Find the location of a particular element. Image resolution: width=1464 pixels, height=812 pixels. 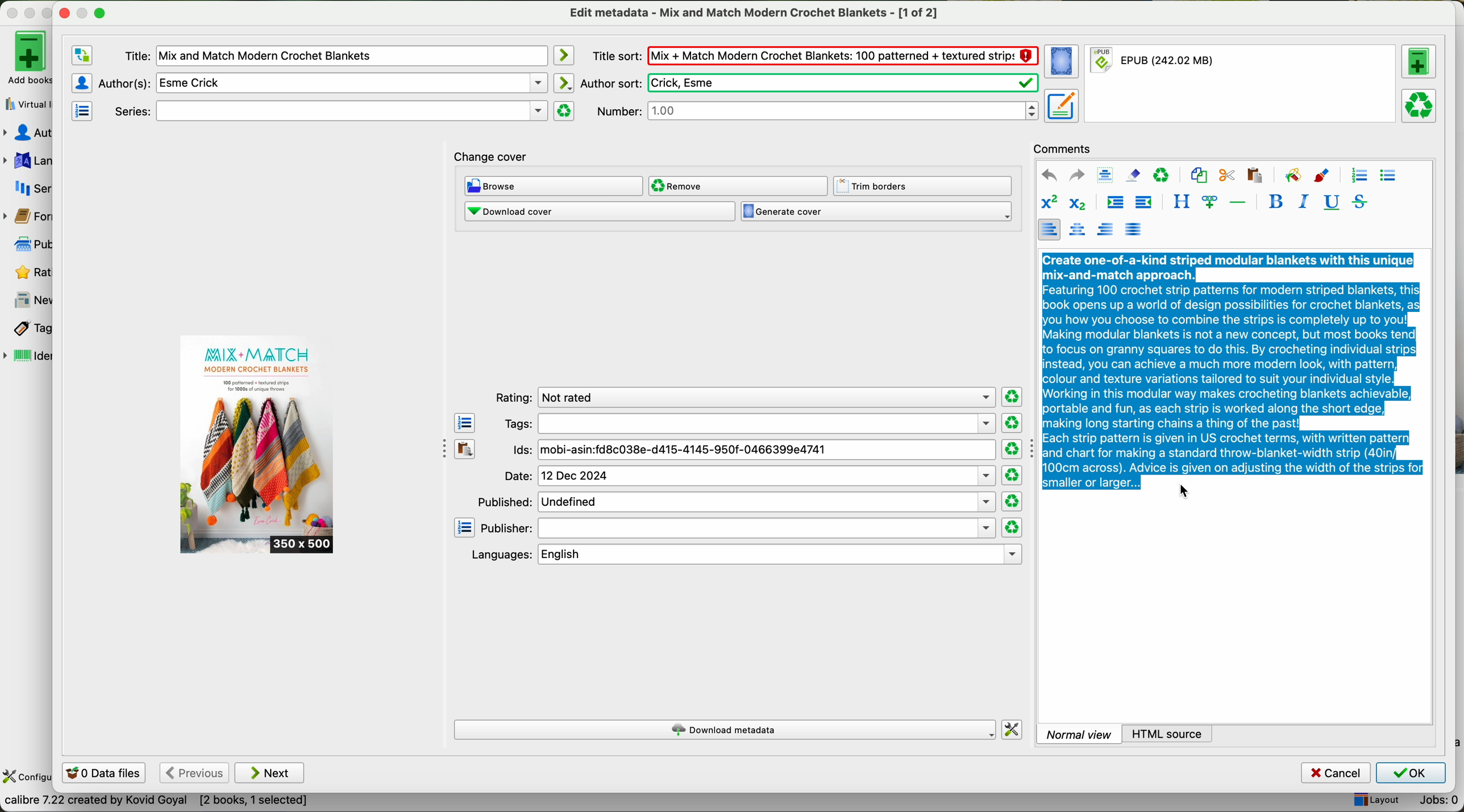

book cover preview is located at coordinates (258, 445).